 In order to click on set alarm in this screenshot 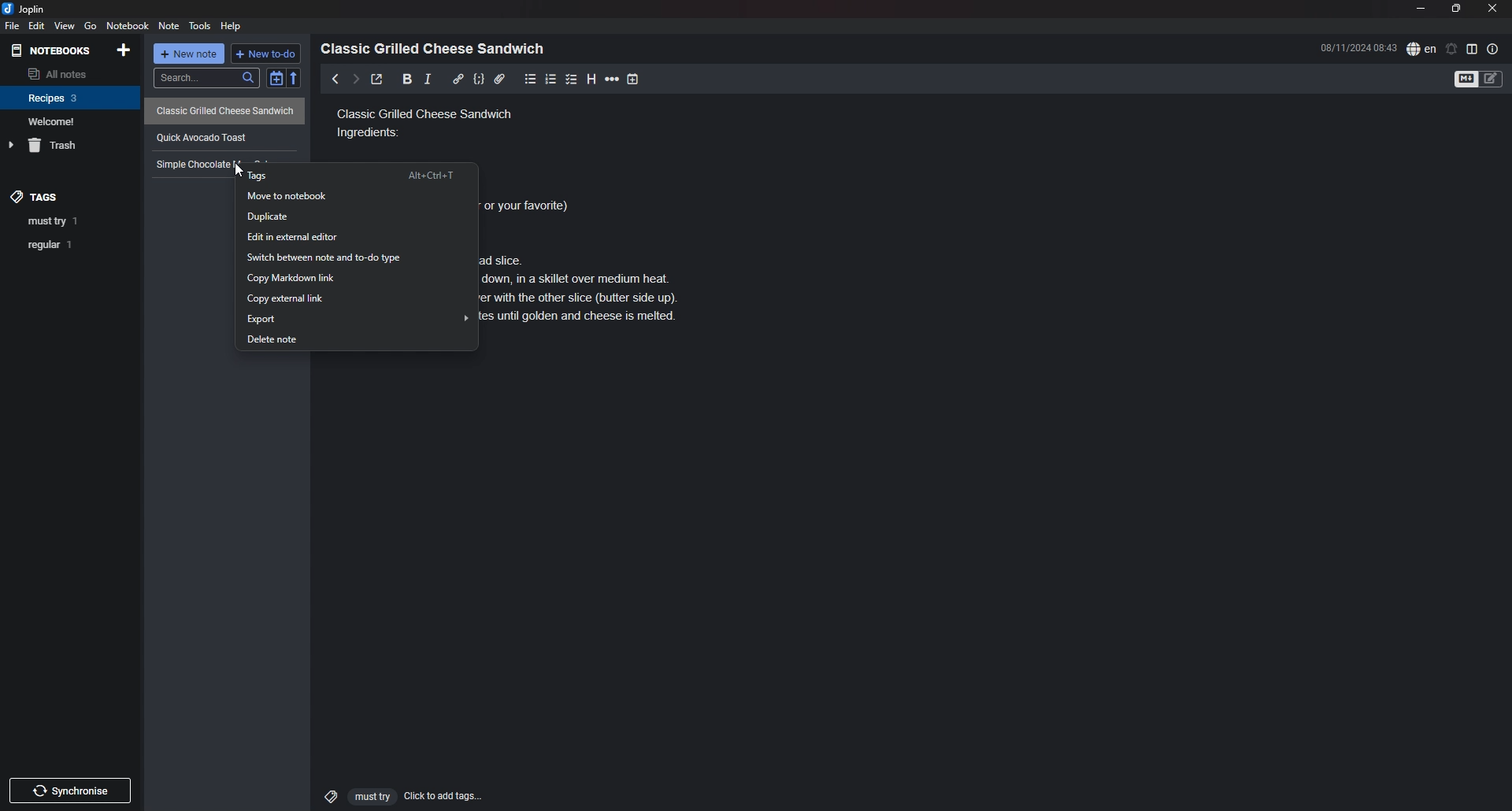, I will do `click(1452, 48)`.